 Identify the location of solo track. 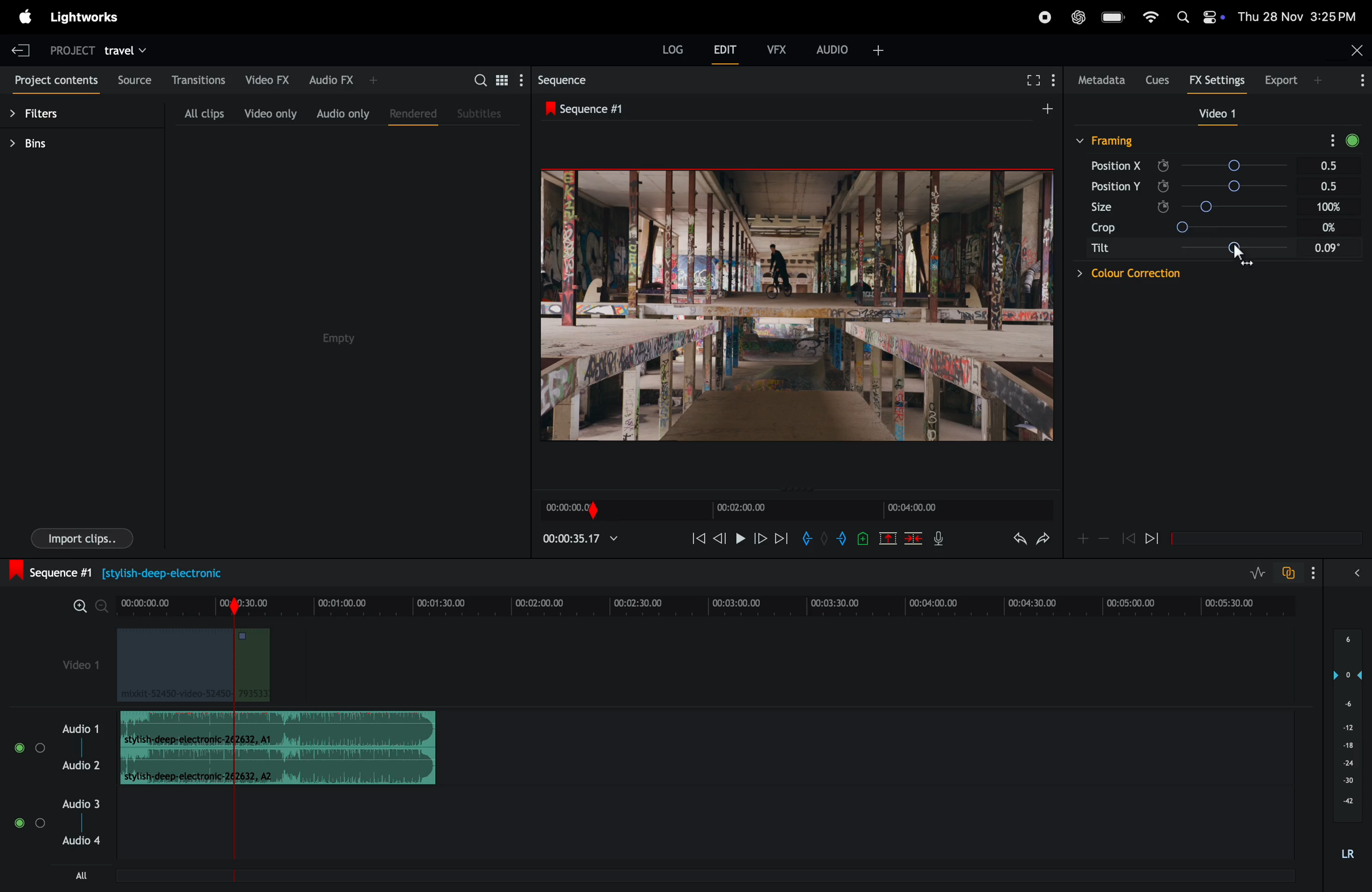
(40, 747).